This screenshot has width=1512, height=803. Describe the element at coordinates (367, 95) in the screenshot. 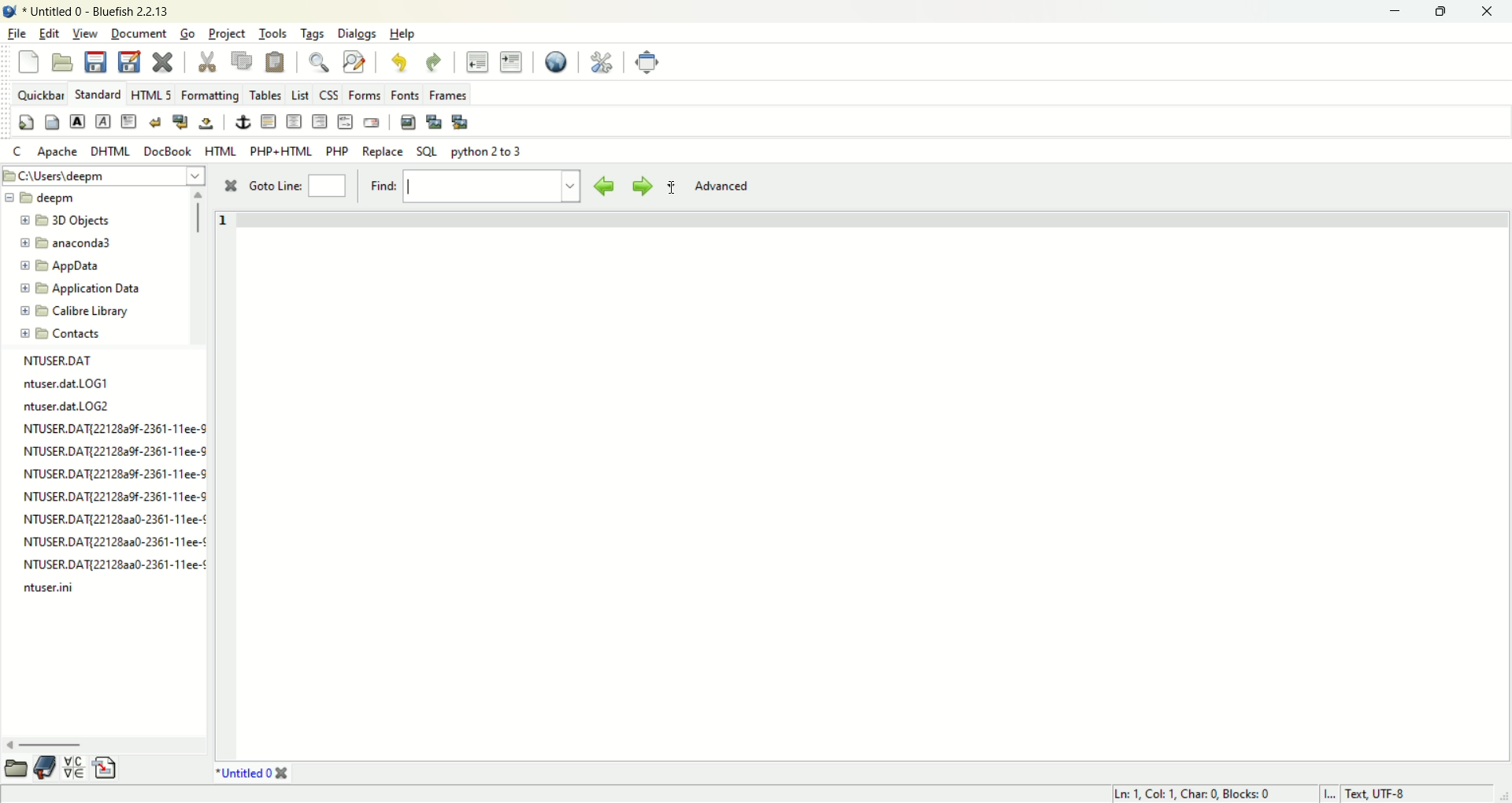

I see `forms` at that location.